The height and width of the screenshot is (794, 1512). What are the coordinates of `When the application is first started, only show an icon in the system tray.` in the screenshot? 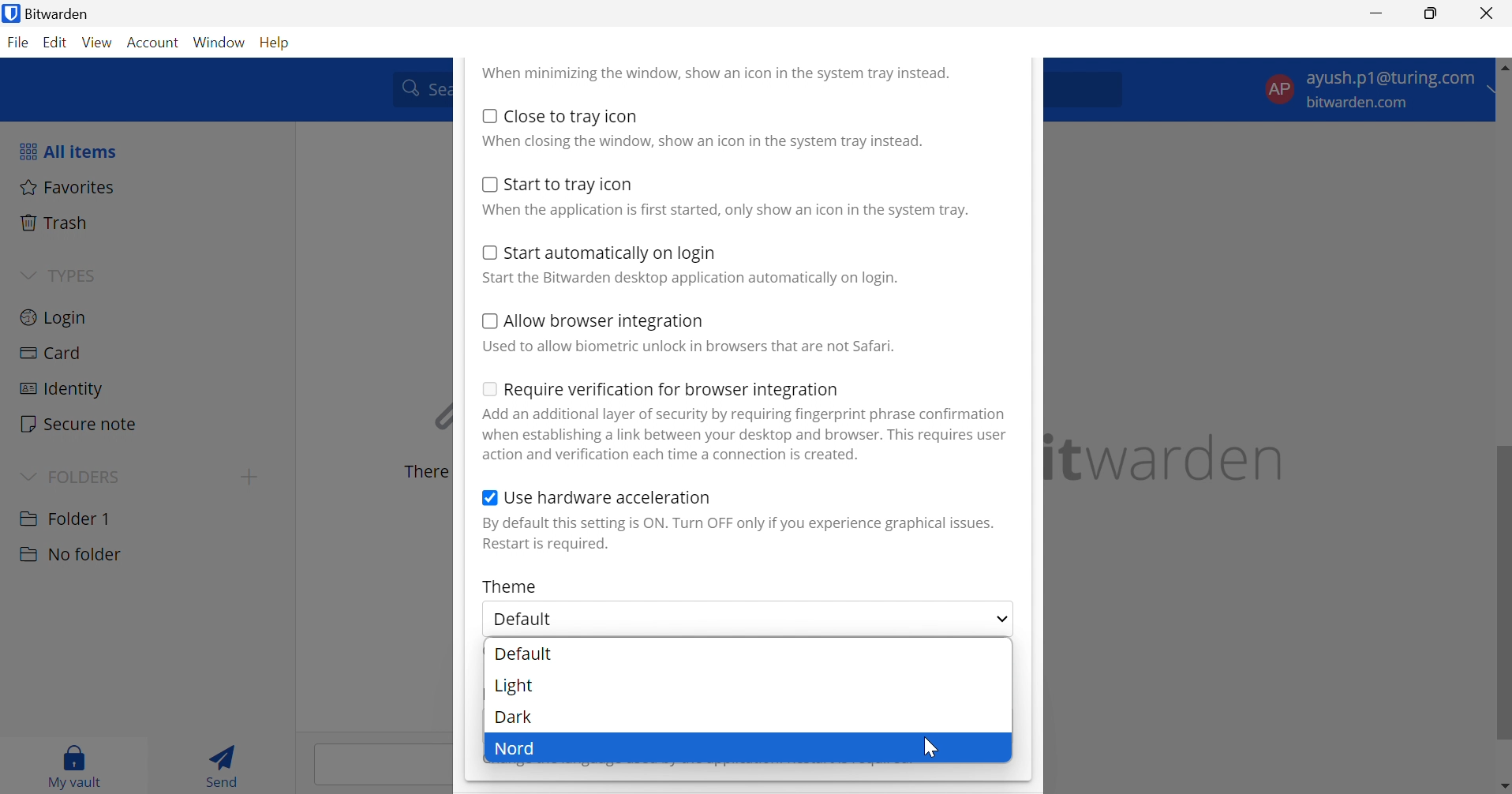 It's located at (724, 211).